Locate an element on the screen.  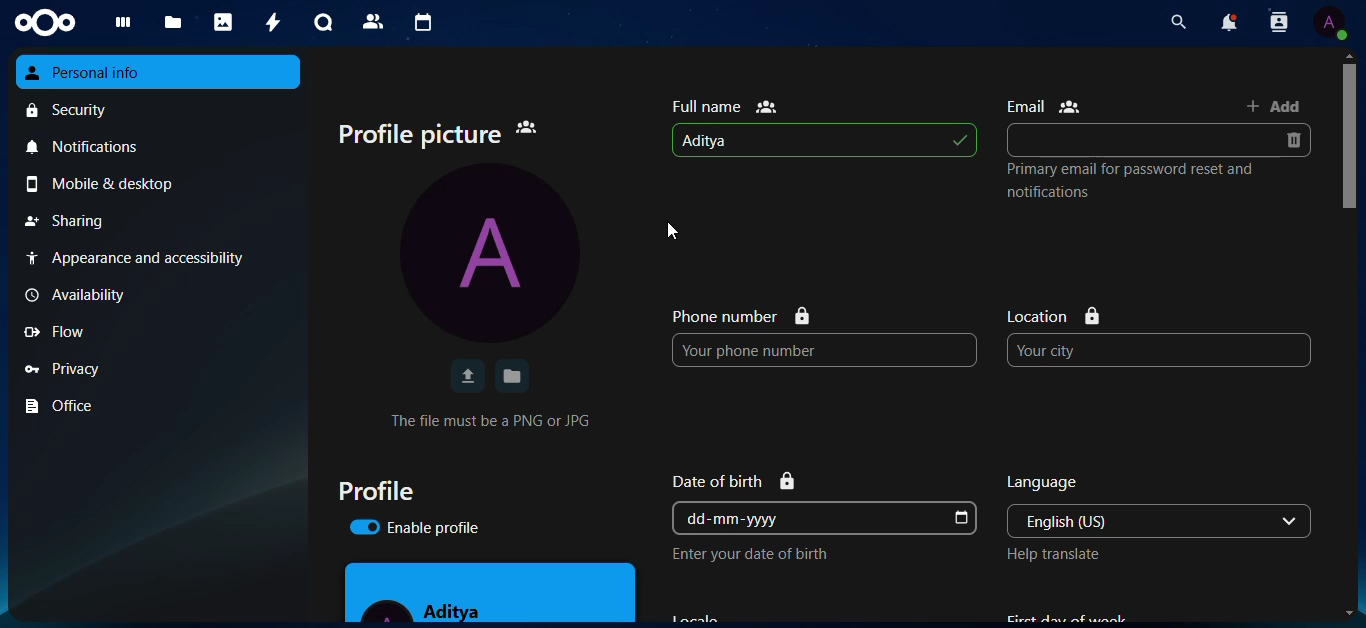
dd-mm-yyyy is located at coordinates (809, 518).